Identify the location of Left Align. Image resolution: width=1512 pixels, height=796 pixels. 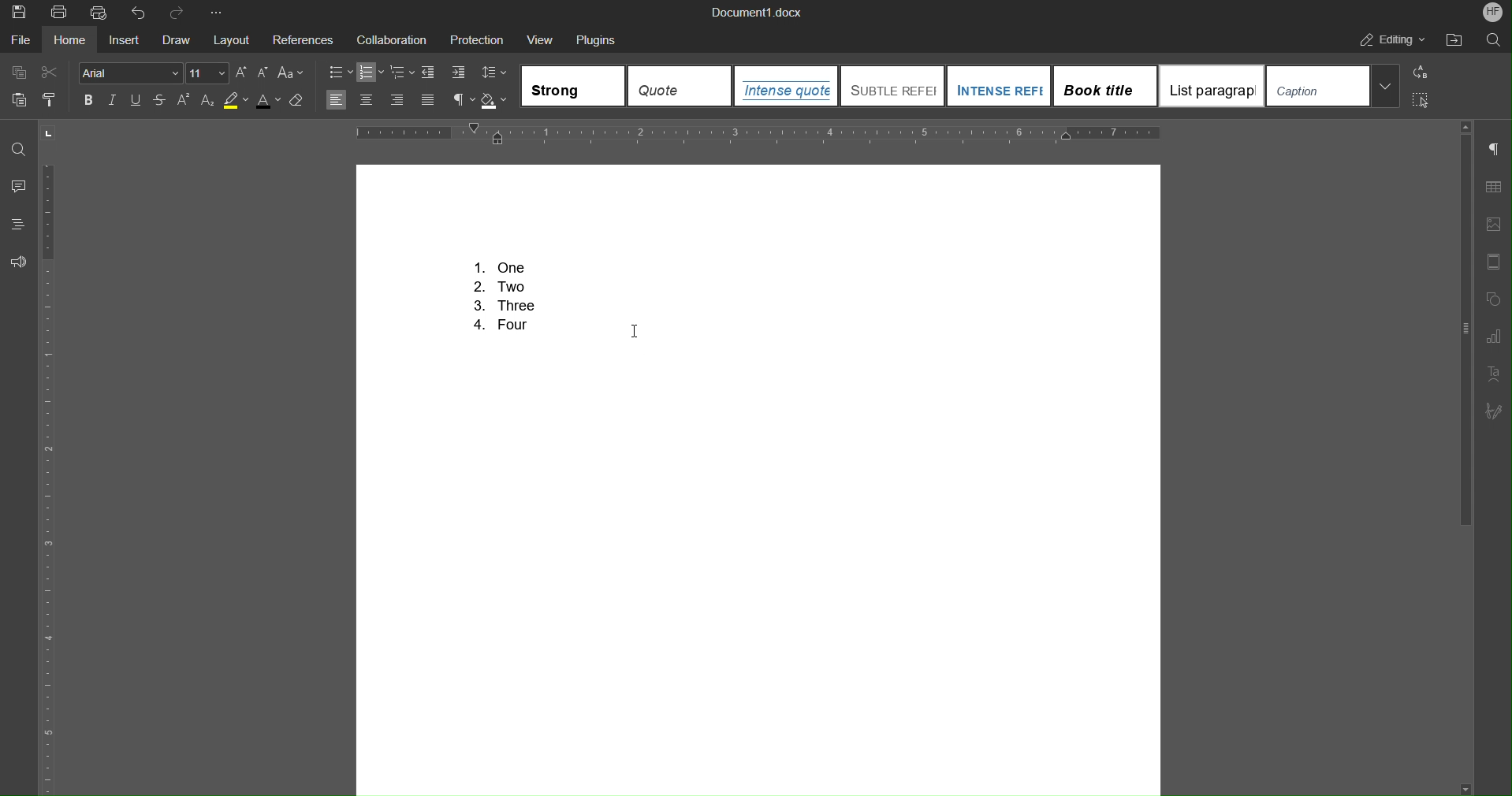
(333, 100).